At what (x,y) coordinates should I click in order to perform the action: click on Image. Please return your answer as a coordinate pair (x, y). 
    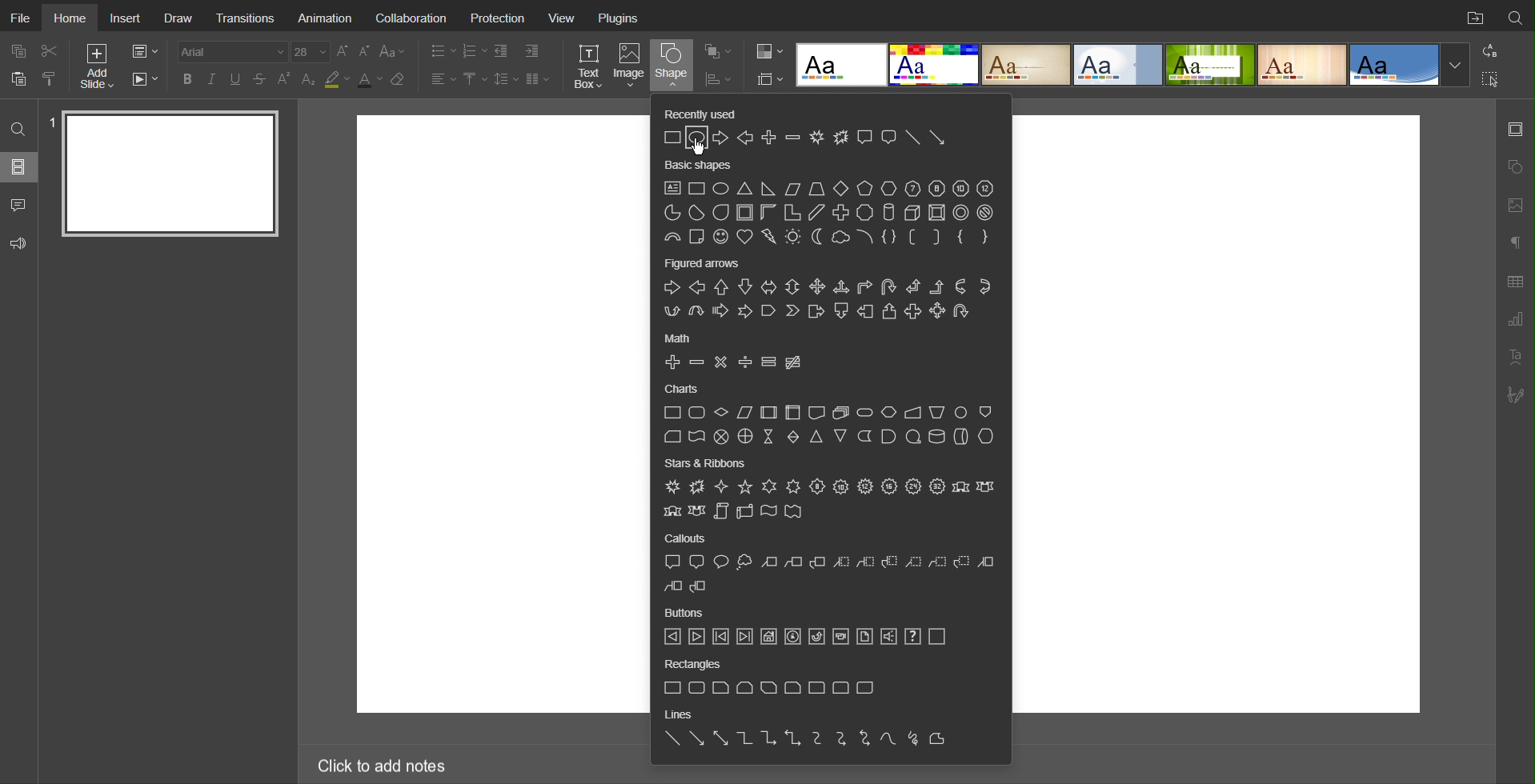
    Looking at the image, I should click on (631, 66).